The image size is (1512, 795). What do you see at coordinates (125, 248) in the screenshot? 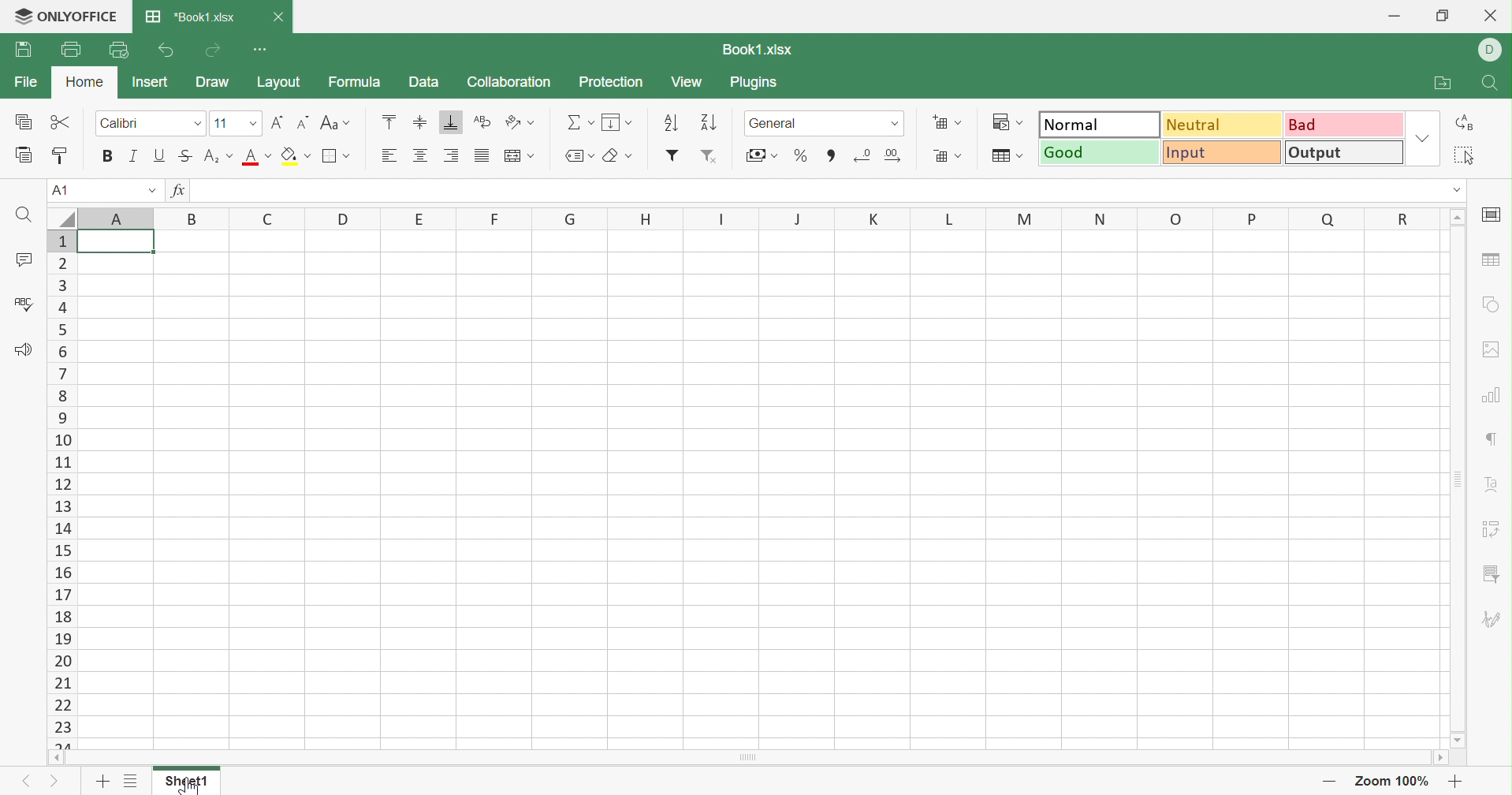
I see `cell A1 highlighted` at bounding box center [125, 248].